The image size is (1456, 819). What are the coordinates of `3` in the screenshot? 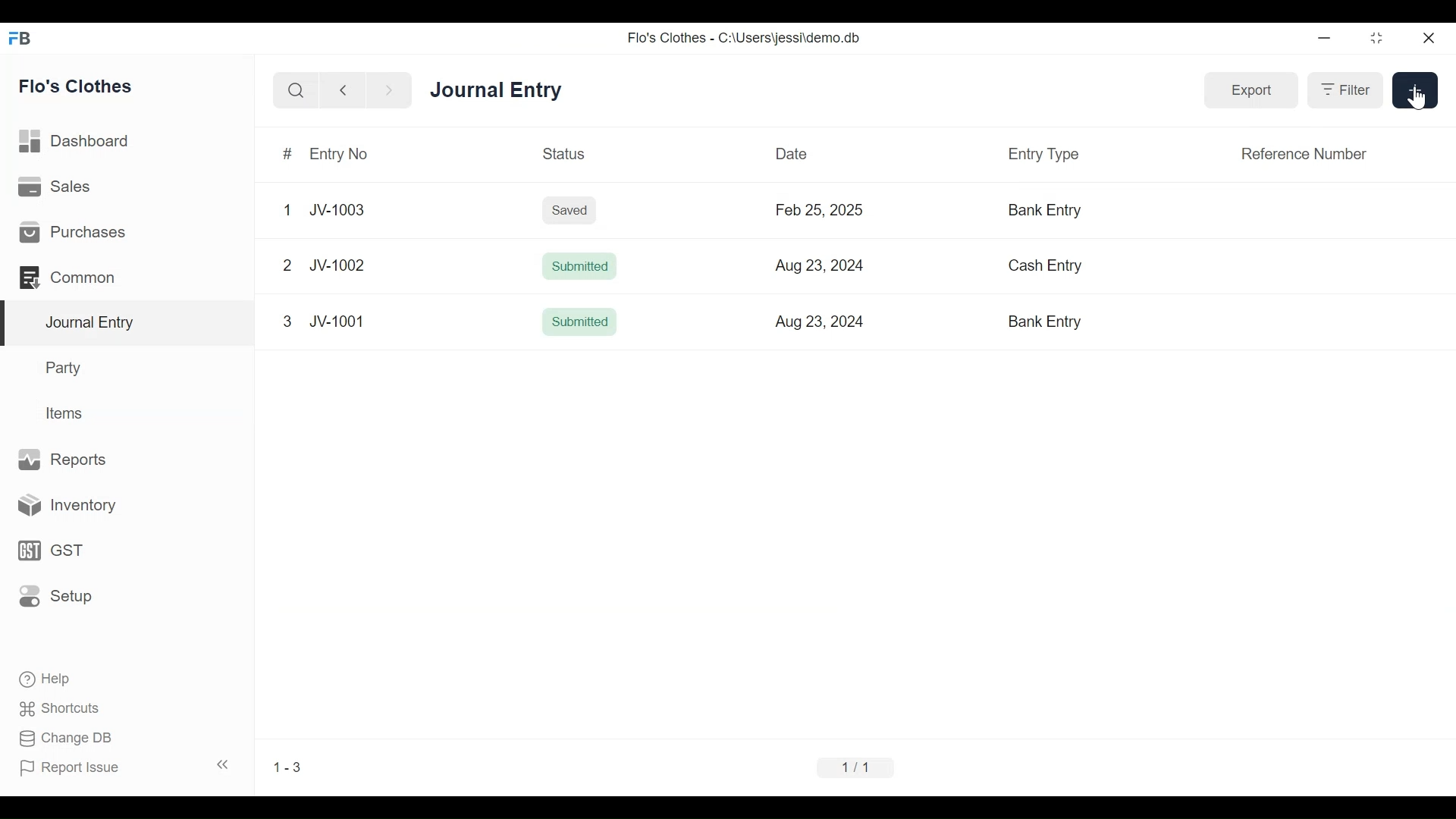 It's located at (284, 320).